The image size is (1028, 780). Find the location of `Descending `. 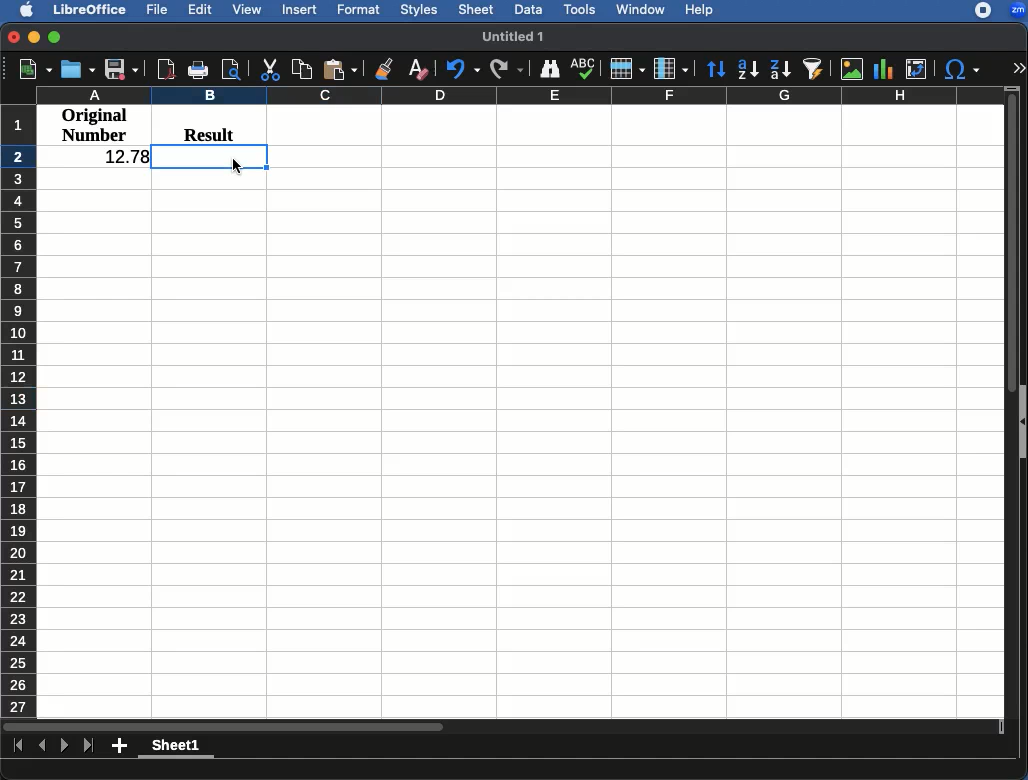

Descending  is located at coordinates (779, 69).